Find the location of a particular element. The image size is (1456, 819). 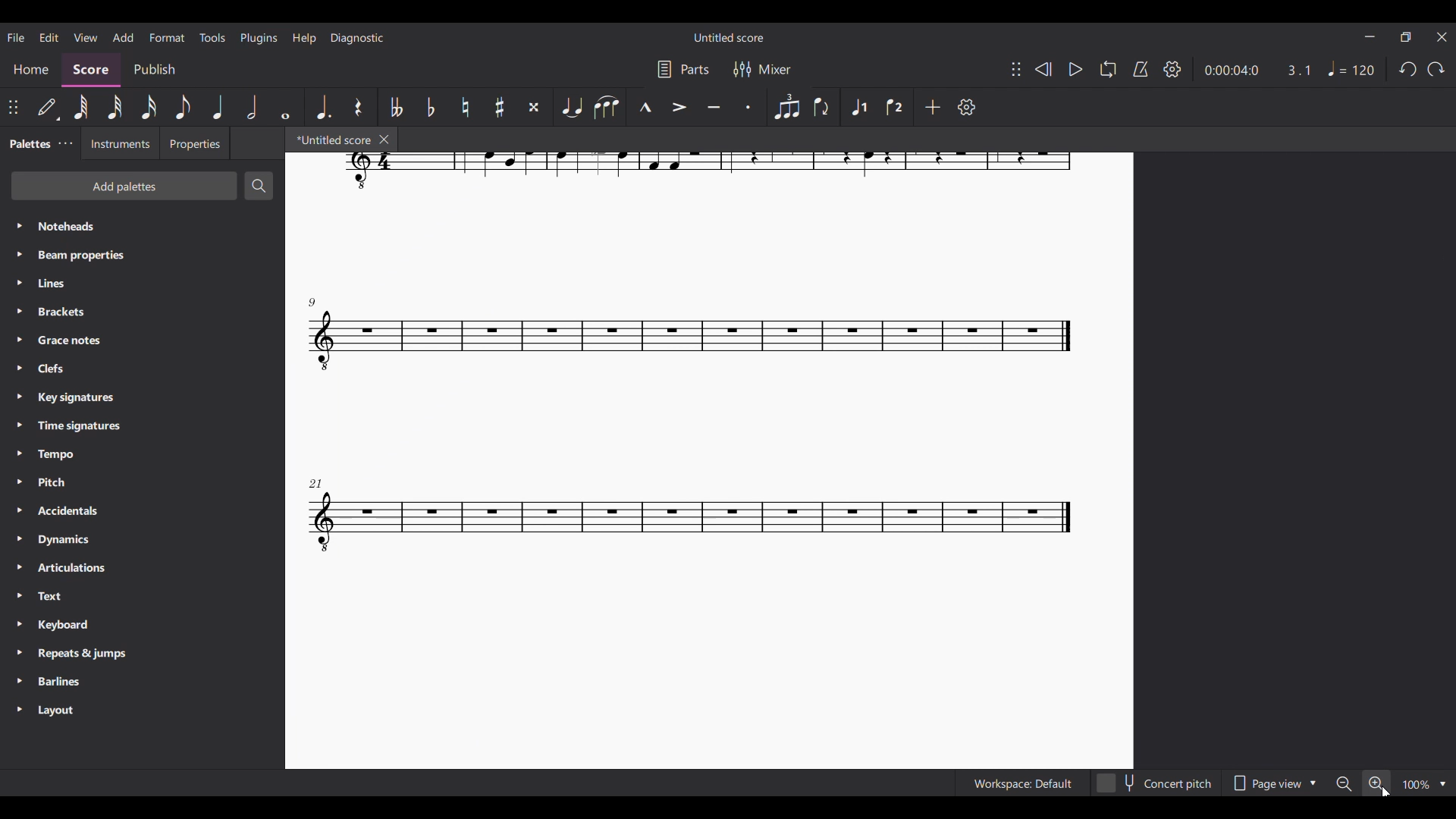

100% is located at coordinates (1414, 784).